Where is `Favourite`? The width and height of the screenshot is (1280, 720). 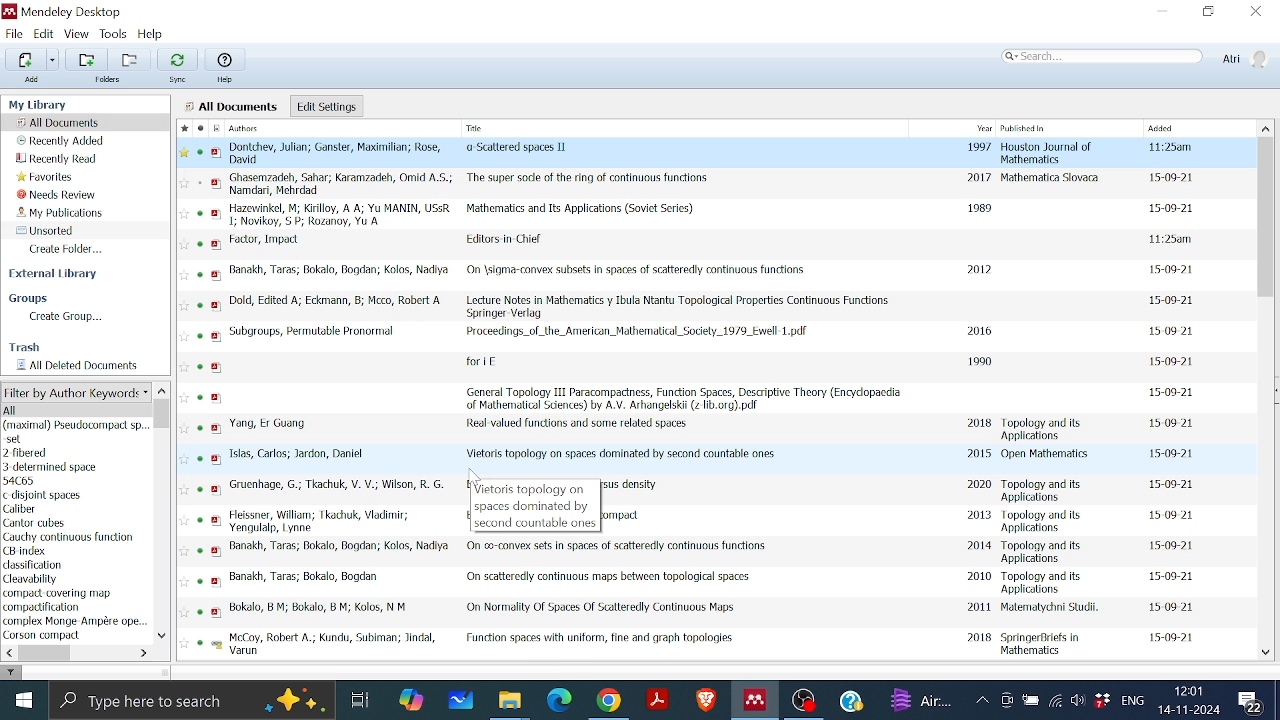
Favourite is located at coordinates (183, 154).